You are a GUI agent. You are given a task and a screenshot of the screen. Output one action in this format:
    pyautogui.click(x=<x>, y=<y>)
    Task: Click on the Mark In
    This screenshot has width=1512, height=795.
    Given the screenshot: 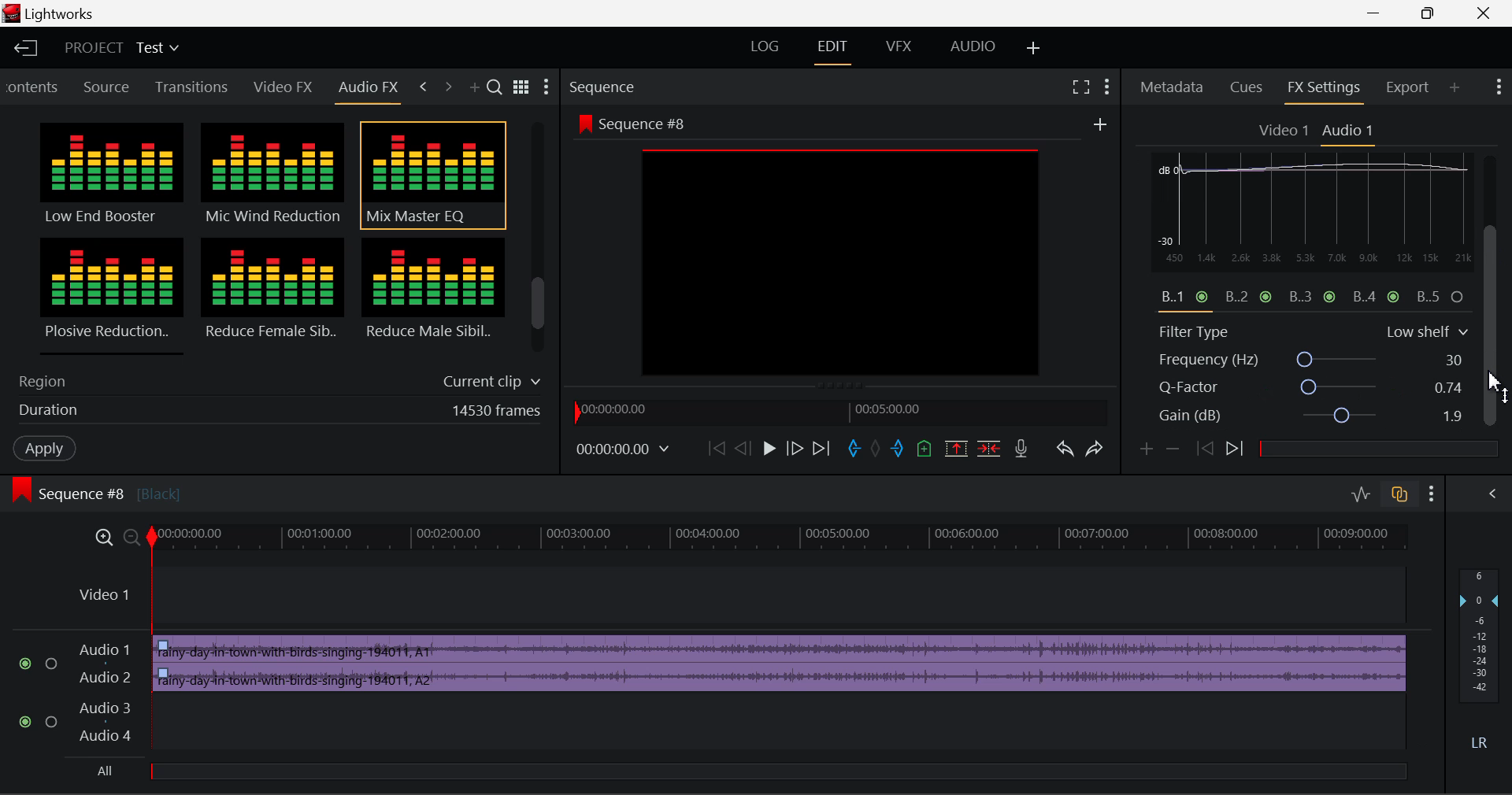 What is the action you would take?
    pyautogui.click(x=857, y=449)
    